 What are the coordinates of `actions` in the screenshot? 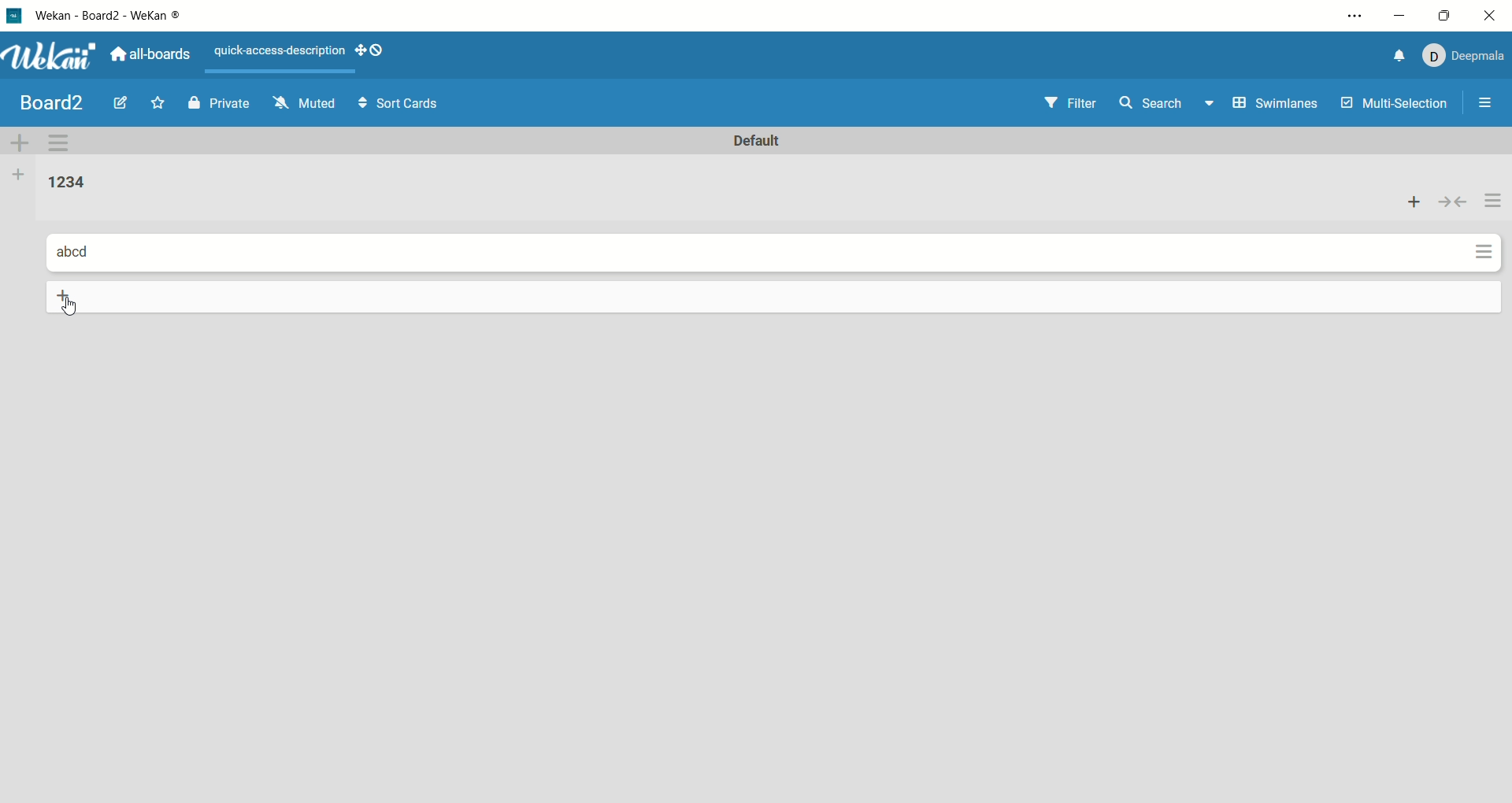 It's located at (1490, 224).